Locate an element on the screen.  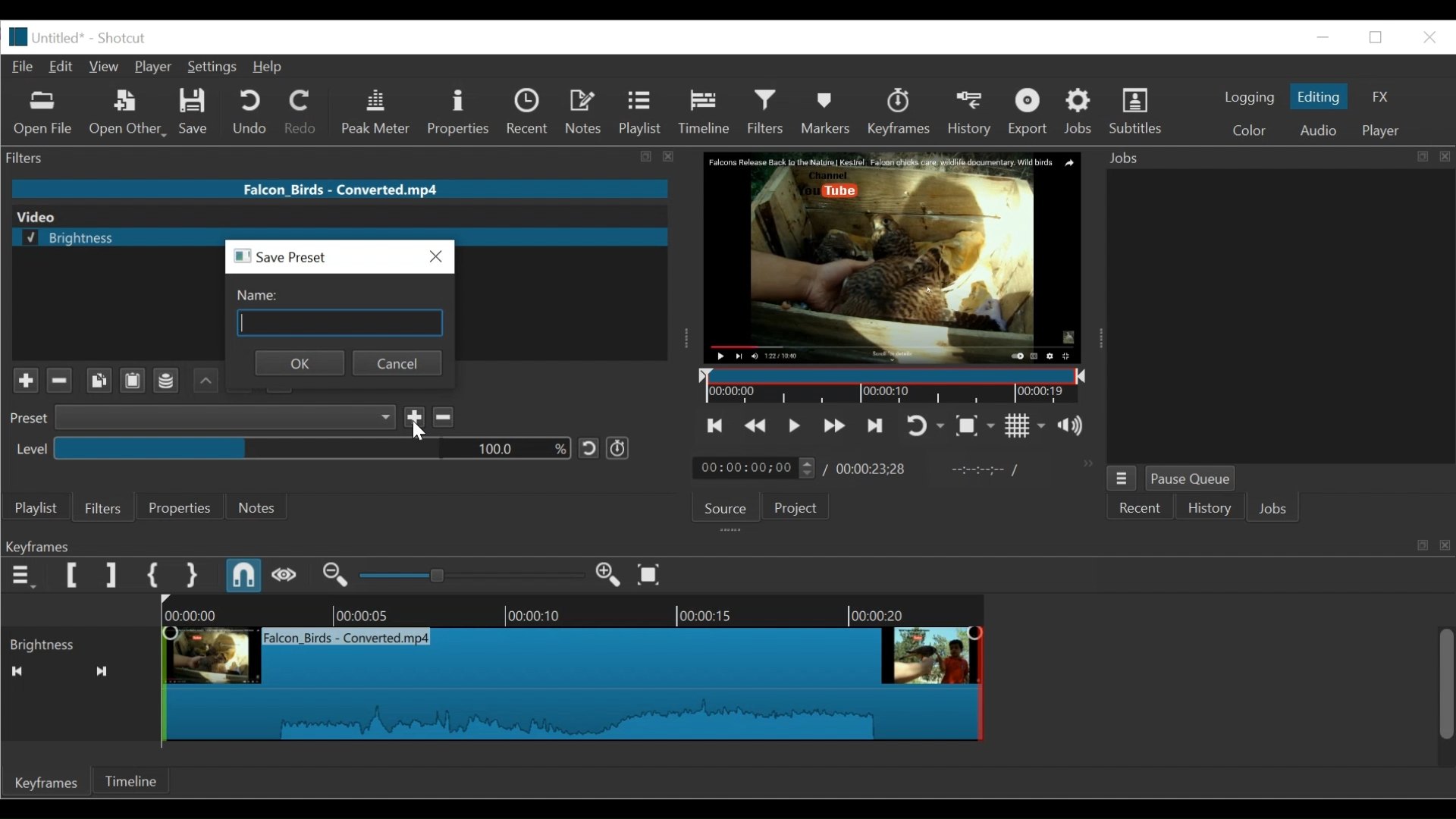
Settings is located at coordinates (215, 67).